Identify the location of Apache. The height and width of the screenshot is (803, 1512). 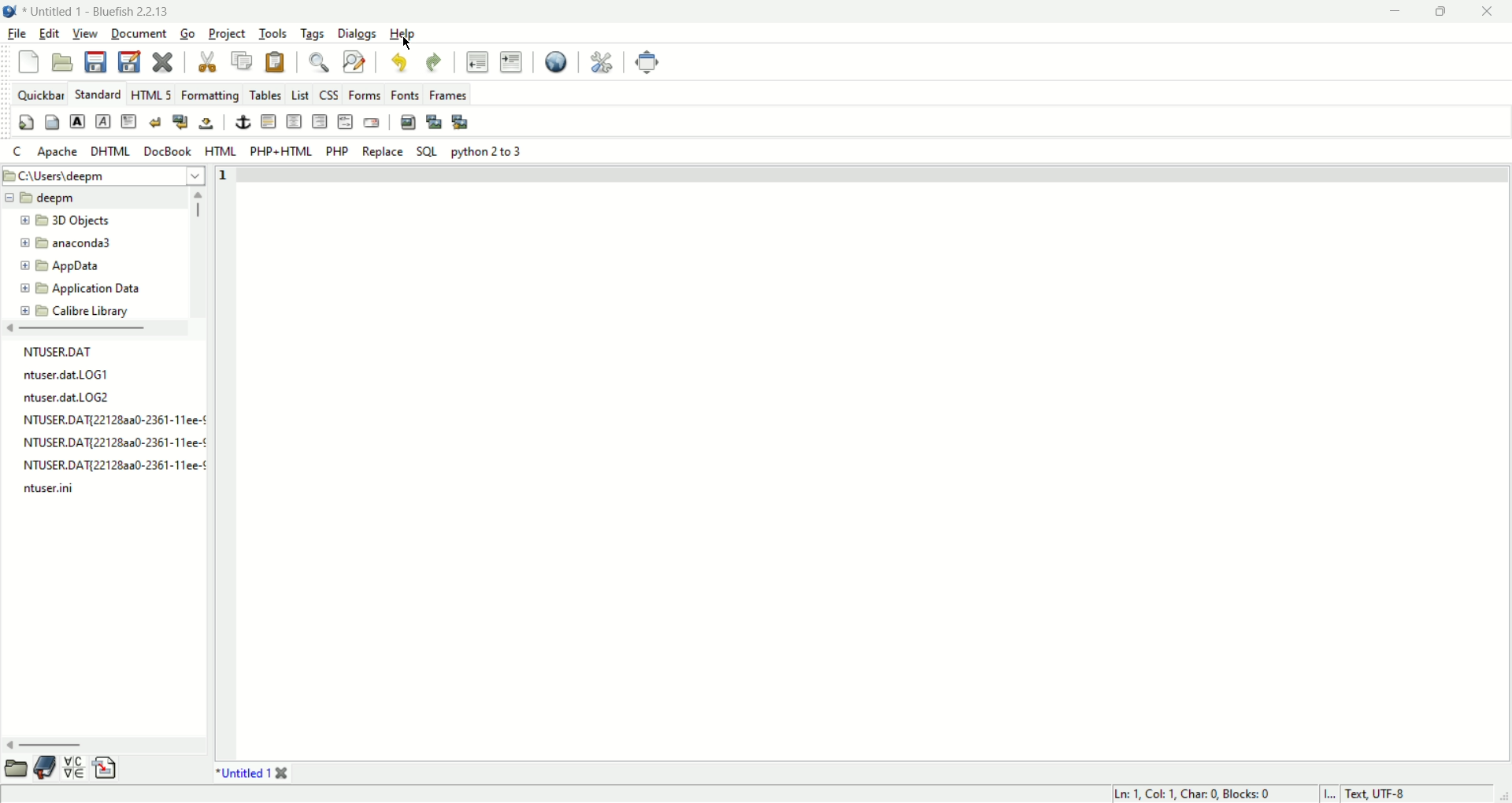
(59, 152).